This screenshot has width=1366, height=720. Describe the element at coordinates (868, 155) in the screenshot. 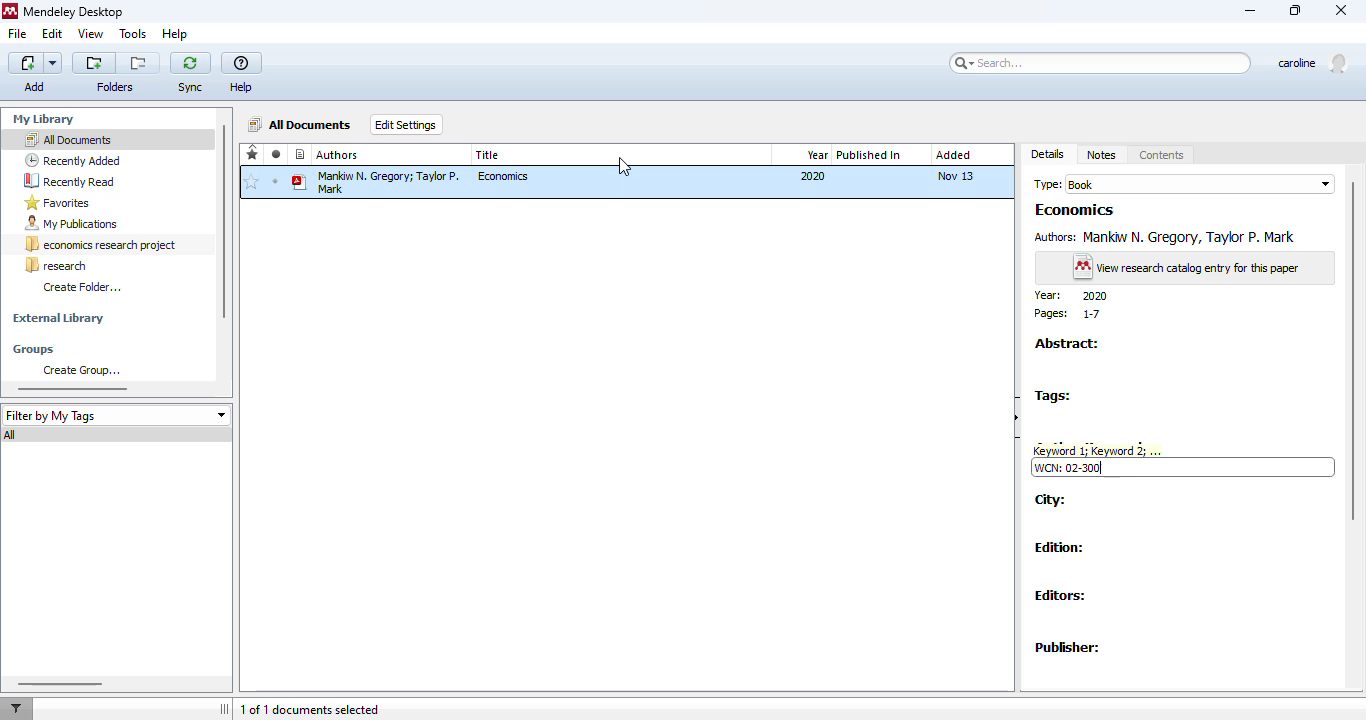

I see `published in` at that location.